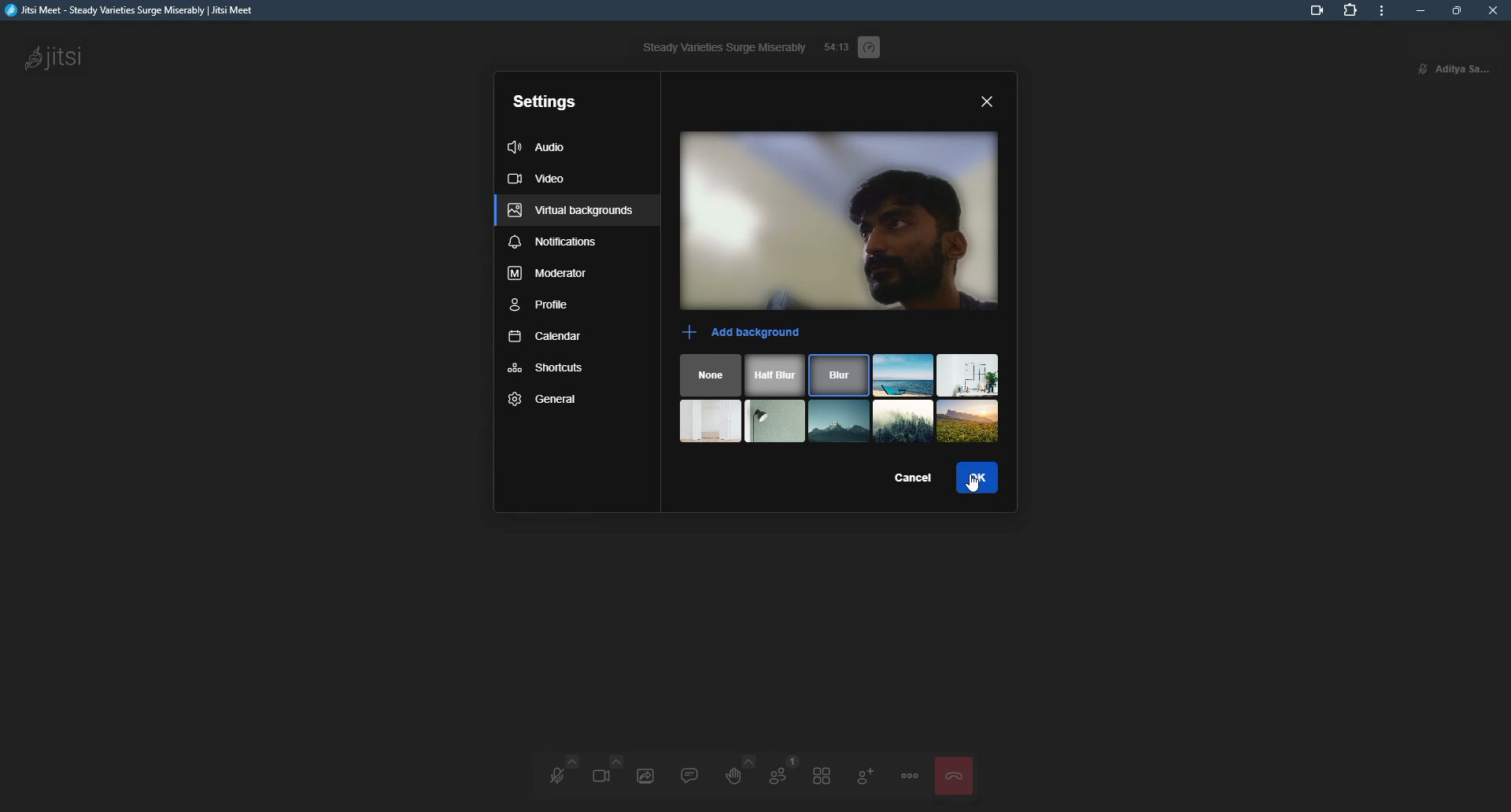 This screenshot has width=1511, height=812. I want to click on cancel, so click(908, 474).